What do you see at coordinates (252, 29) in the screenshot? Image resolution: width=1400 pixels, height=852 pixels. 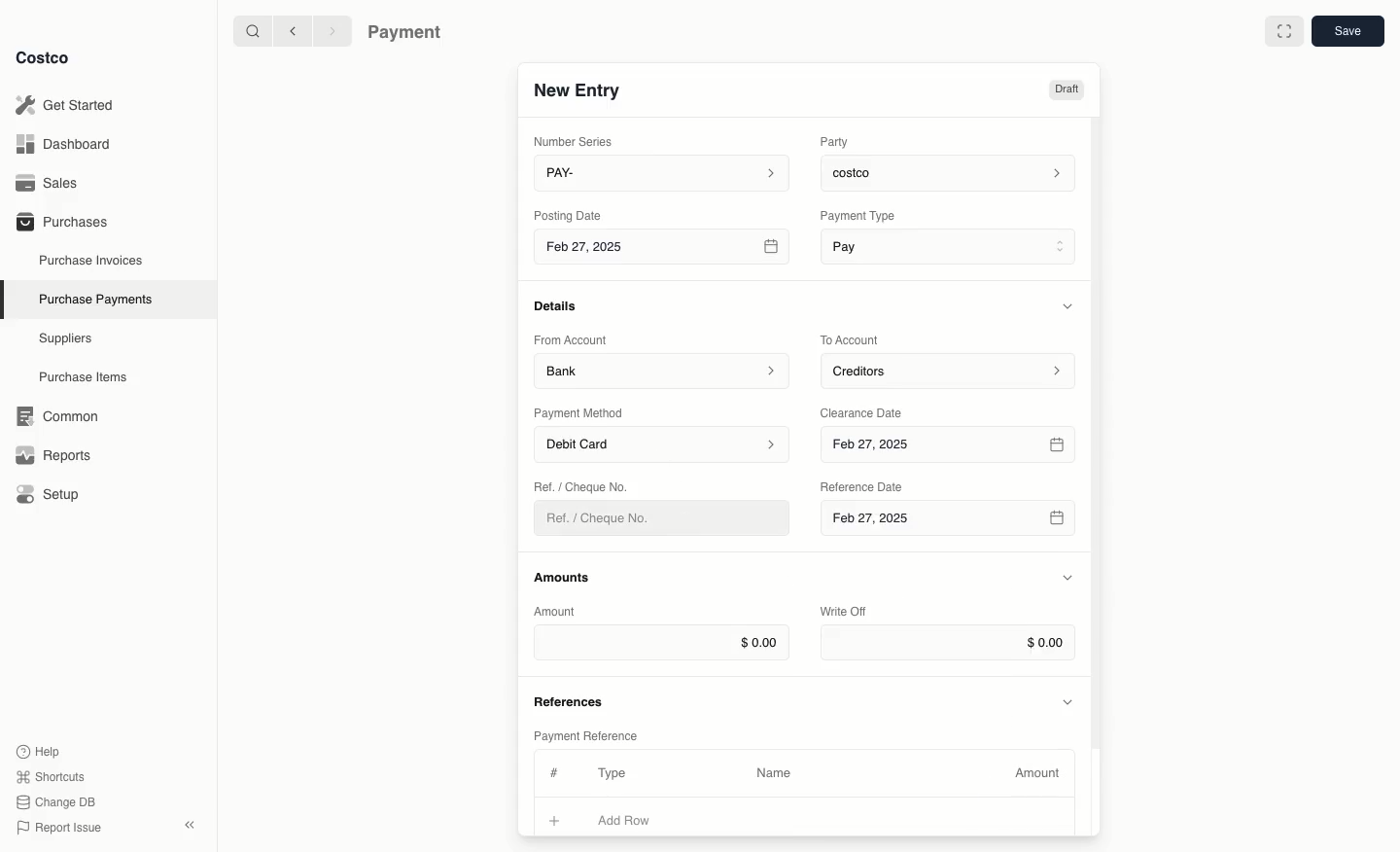 I see `Search` at bounding box center [252, 29].